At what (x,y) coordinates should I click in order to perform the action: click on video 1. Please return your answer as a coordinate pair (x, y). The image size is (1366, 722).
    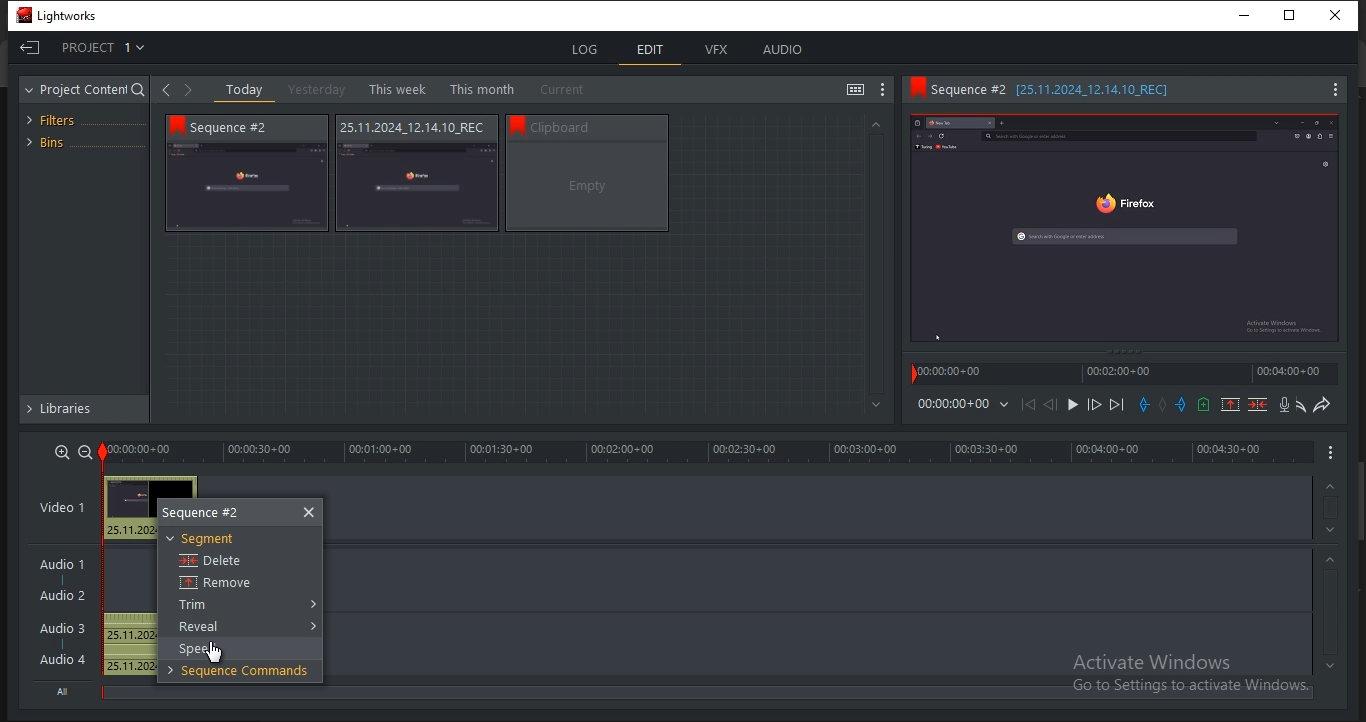
    Looking at the image, I should click on (65, 506).